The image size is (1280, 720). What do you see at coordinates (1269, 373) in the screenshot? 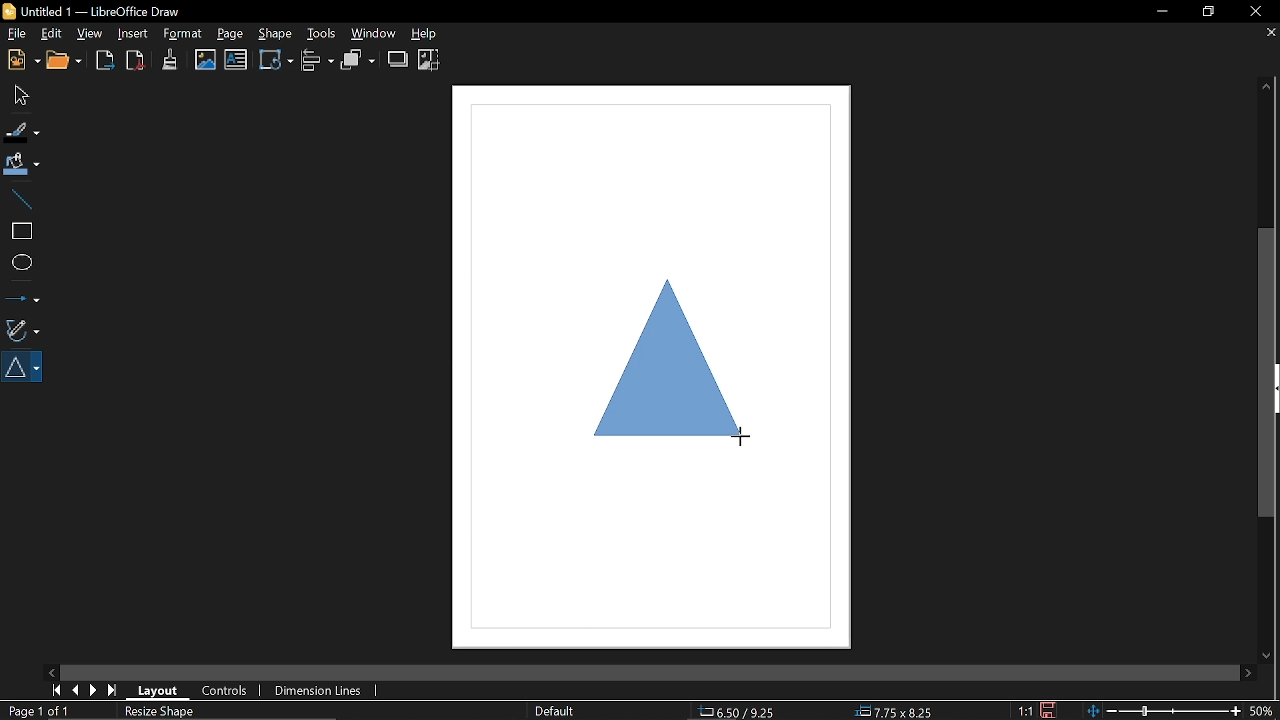
I see `Vertical scrollbar` at bounding box center [1269, 373].